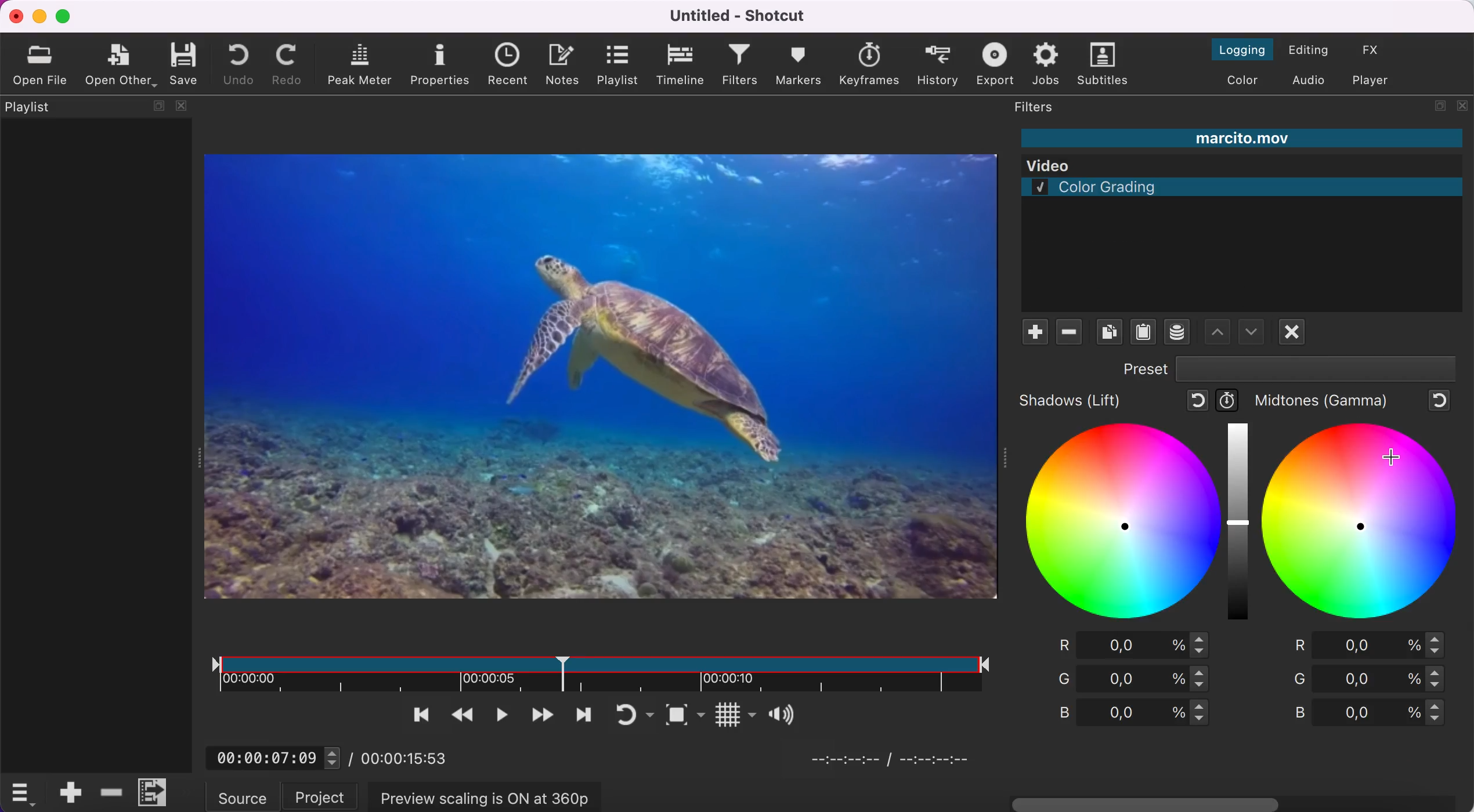 The height and width of the screenshot is (812, 1474). I want to click on playlist panel, so click(95, 296).